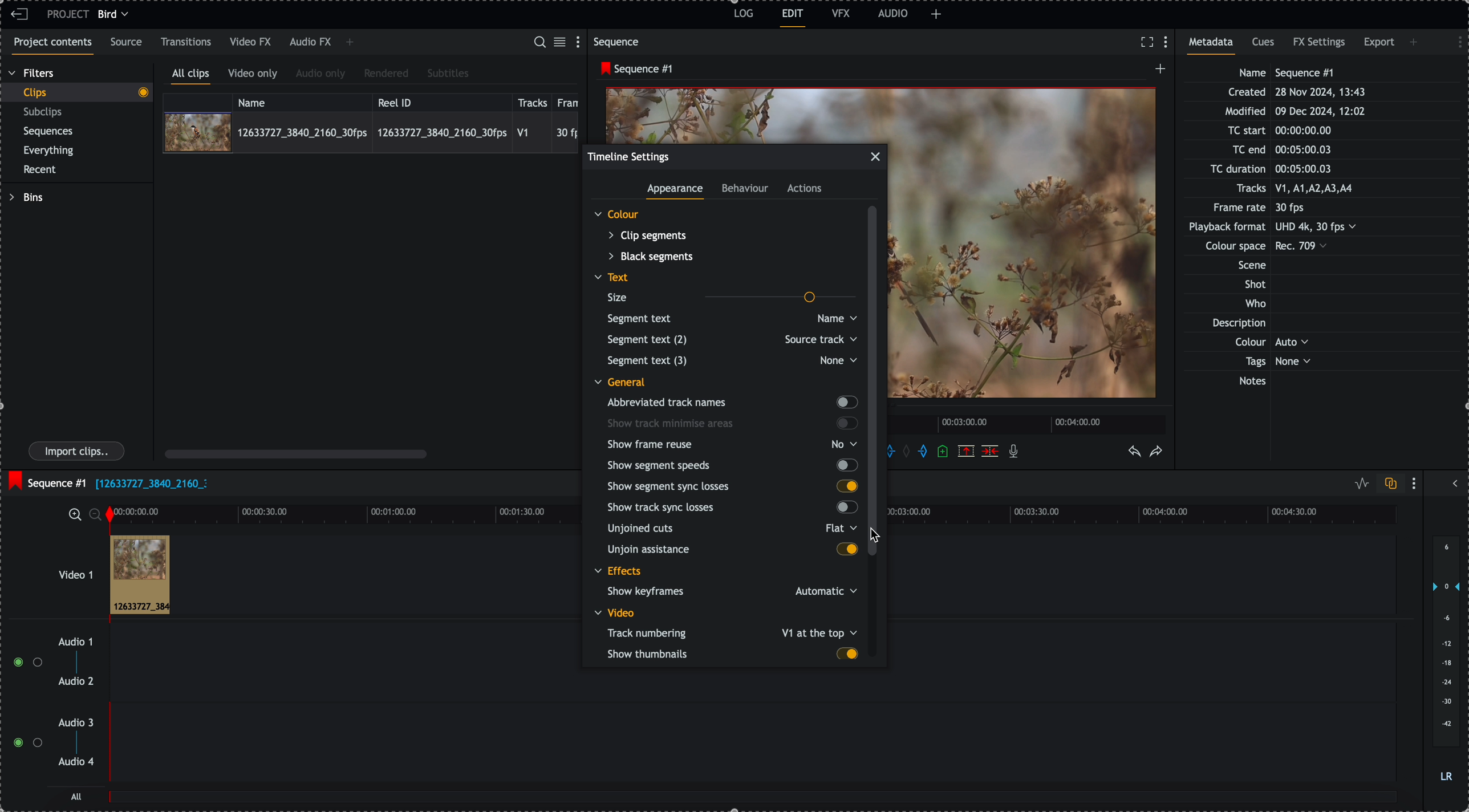 This screenshot has width=1469, height=812. What do you see at coordinates (74, 514) in the screenshot?
I see `zoom in` at bounding box center [74, 514].